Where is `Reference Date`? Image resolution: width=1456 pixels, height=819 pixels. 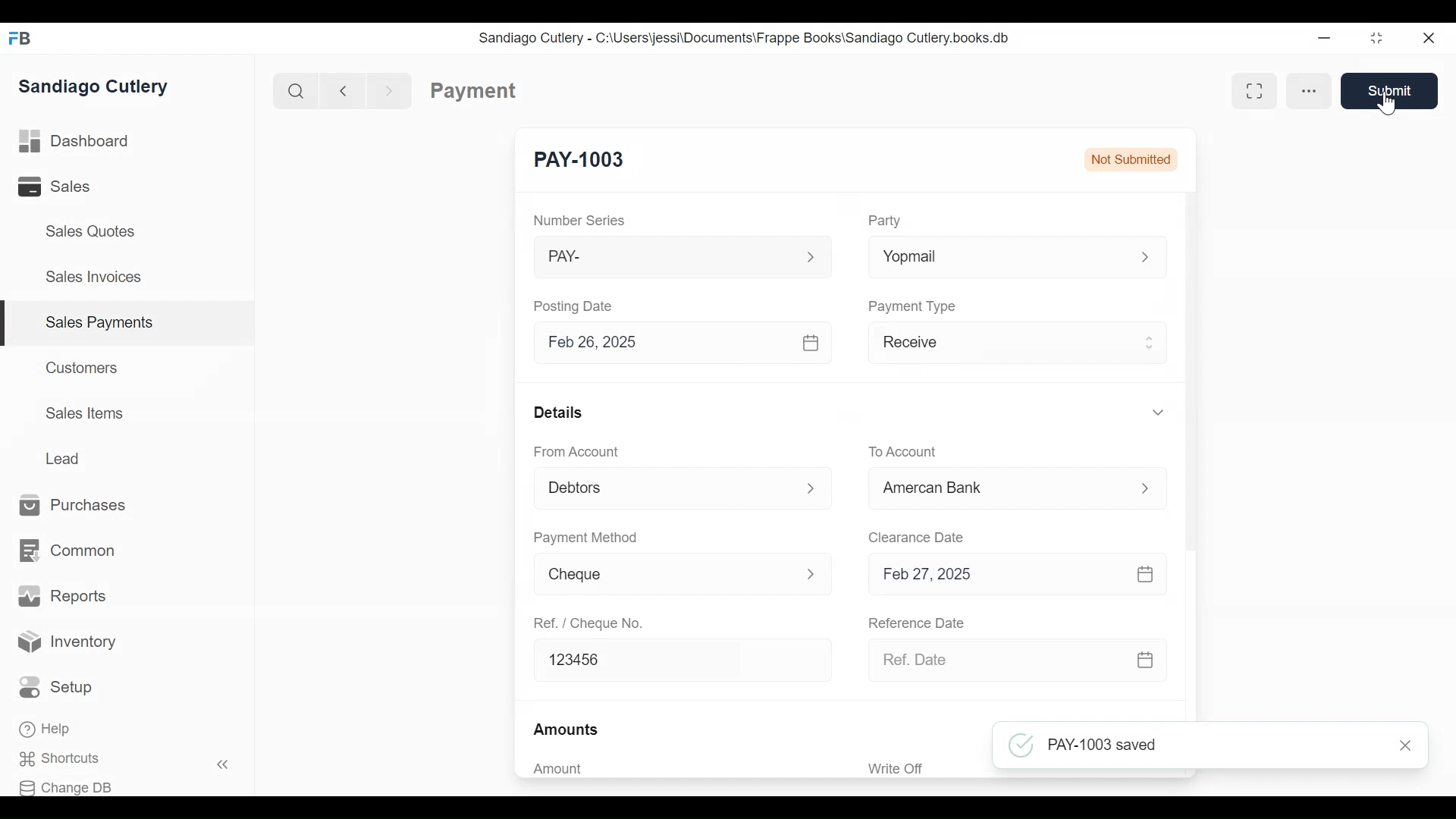 Reference Date is located at coordinates (917, 623).